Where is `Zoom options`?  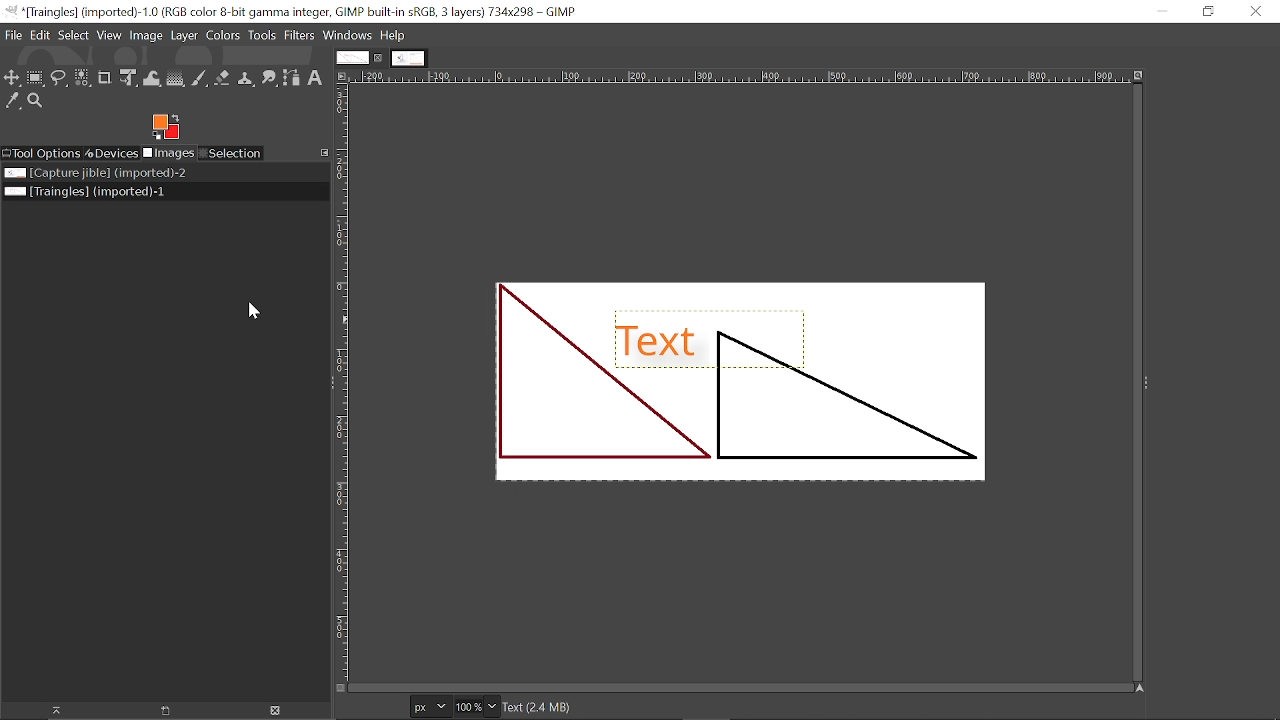
Zoom options is located at coordinates (494, 707).